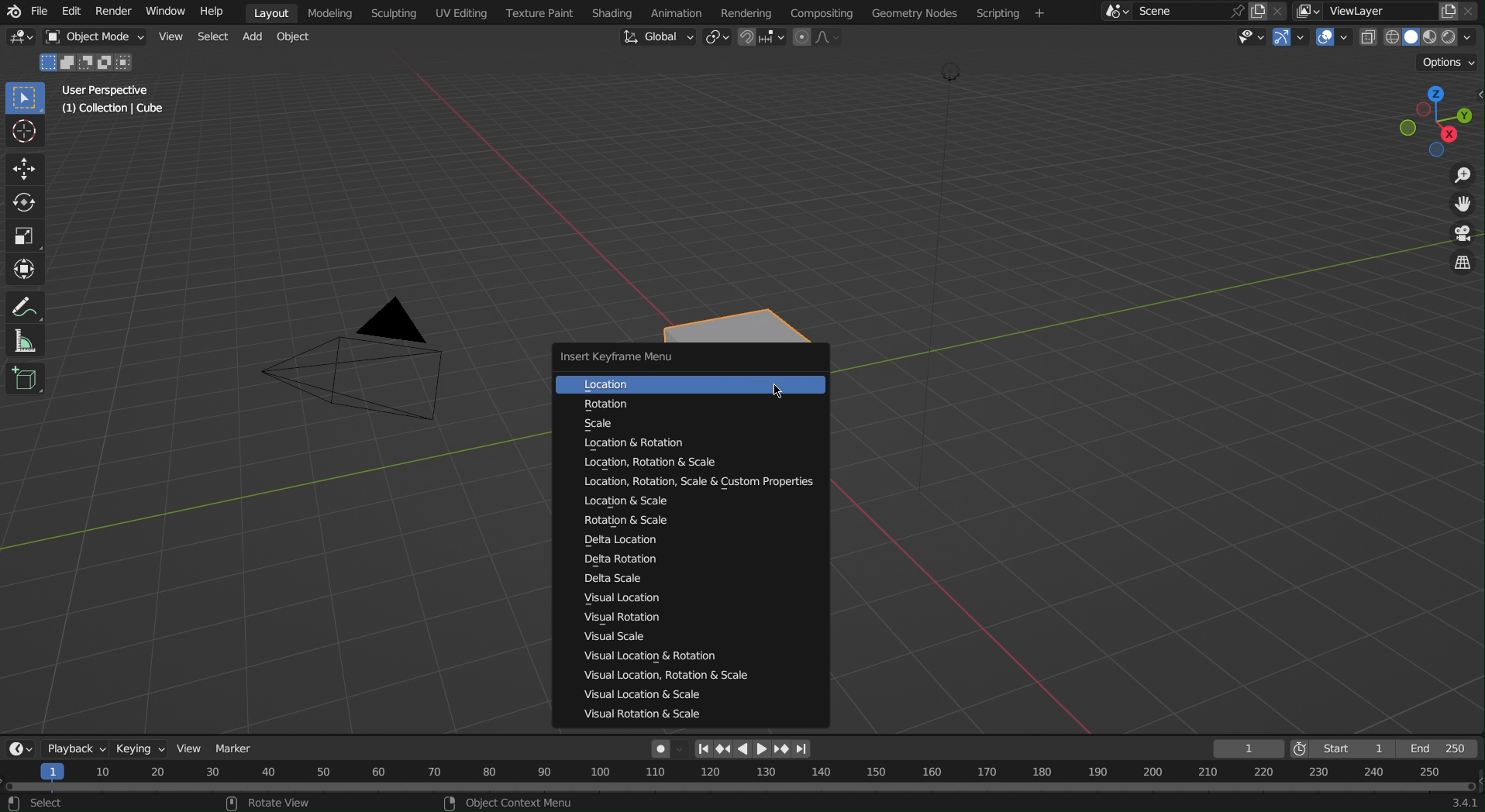 The height and width of the screenshot is (812, 1485). Describe the element at coordinates (610, 541) in the screenshot. I see `Delta Location` at that location.